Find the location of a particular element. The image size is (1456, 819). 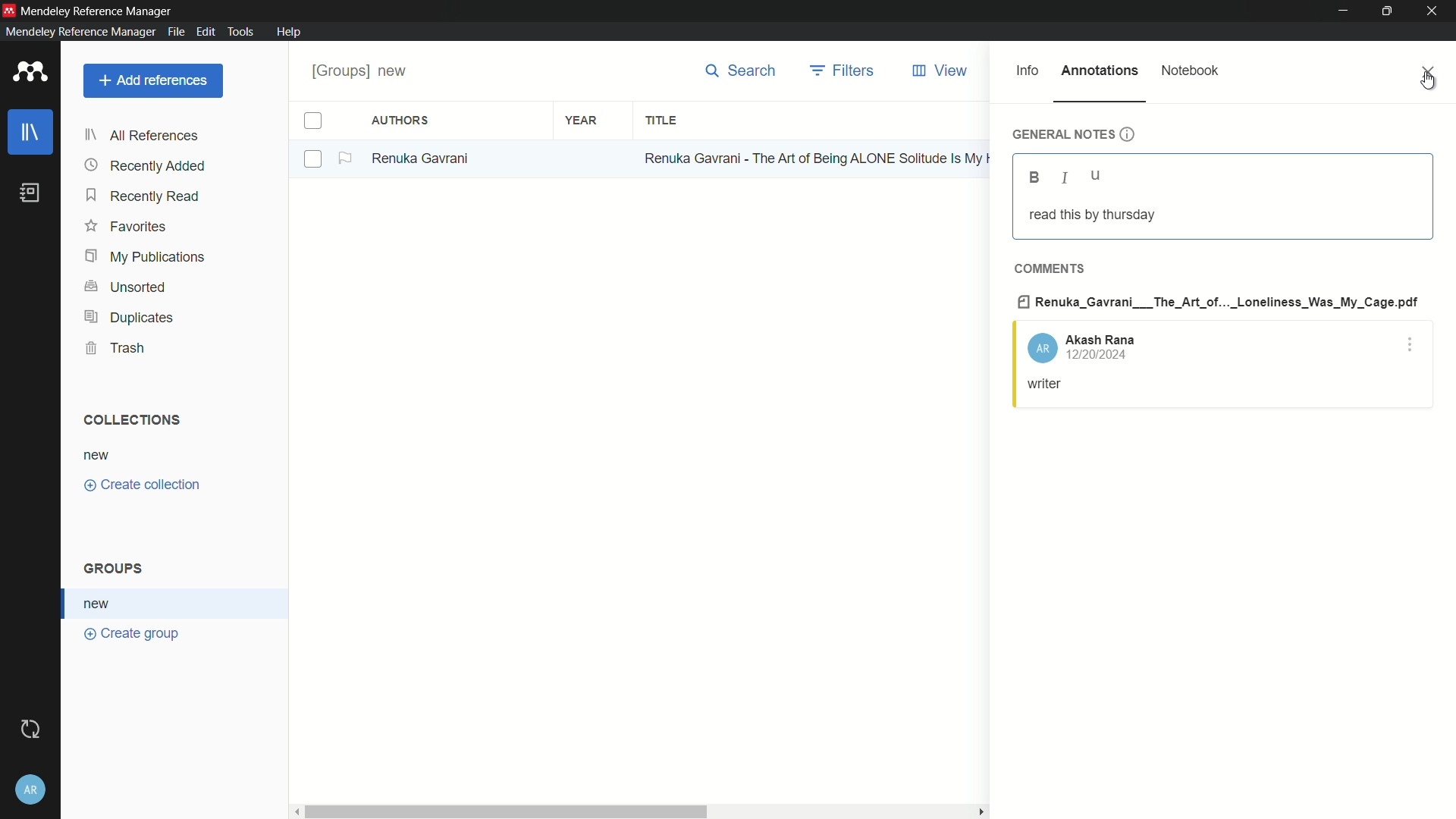

scroll right is located at coordinates (978, 811).